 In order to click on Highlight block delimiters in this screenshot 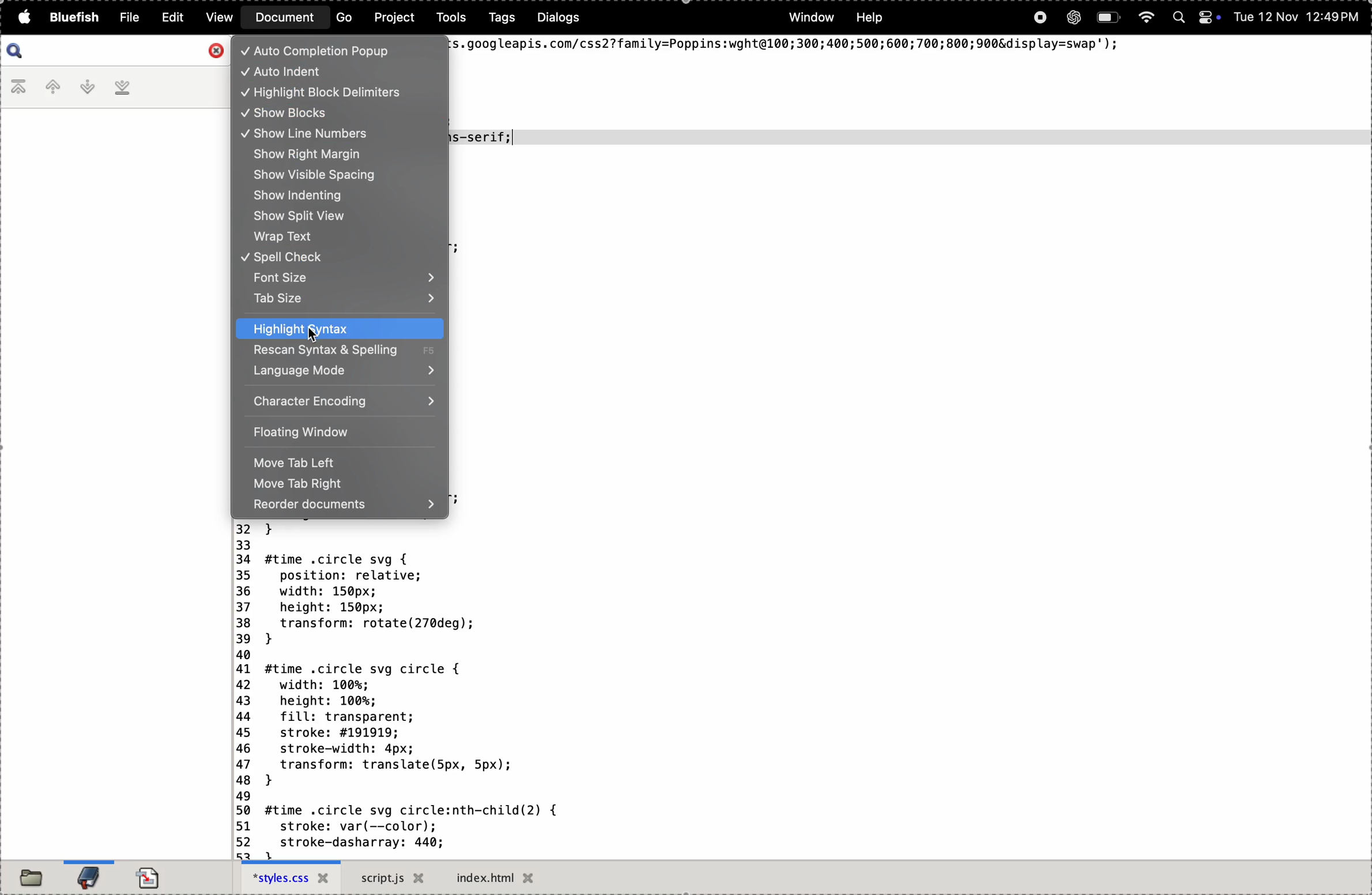, I will do `click(340, 93)`.